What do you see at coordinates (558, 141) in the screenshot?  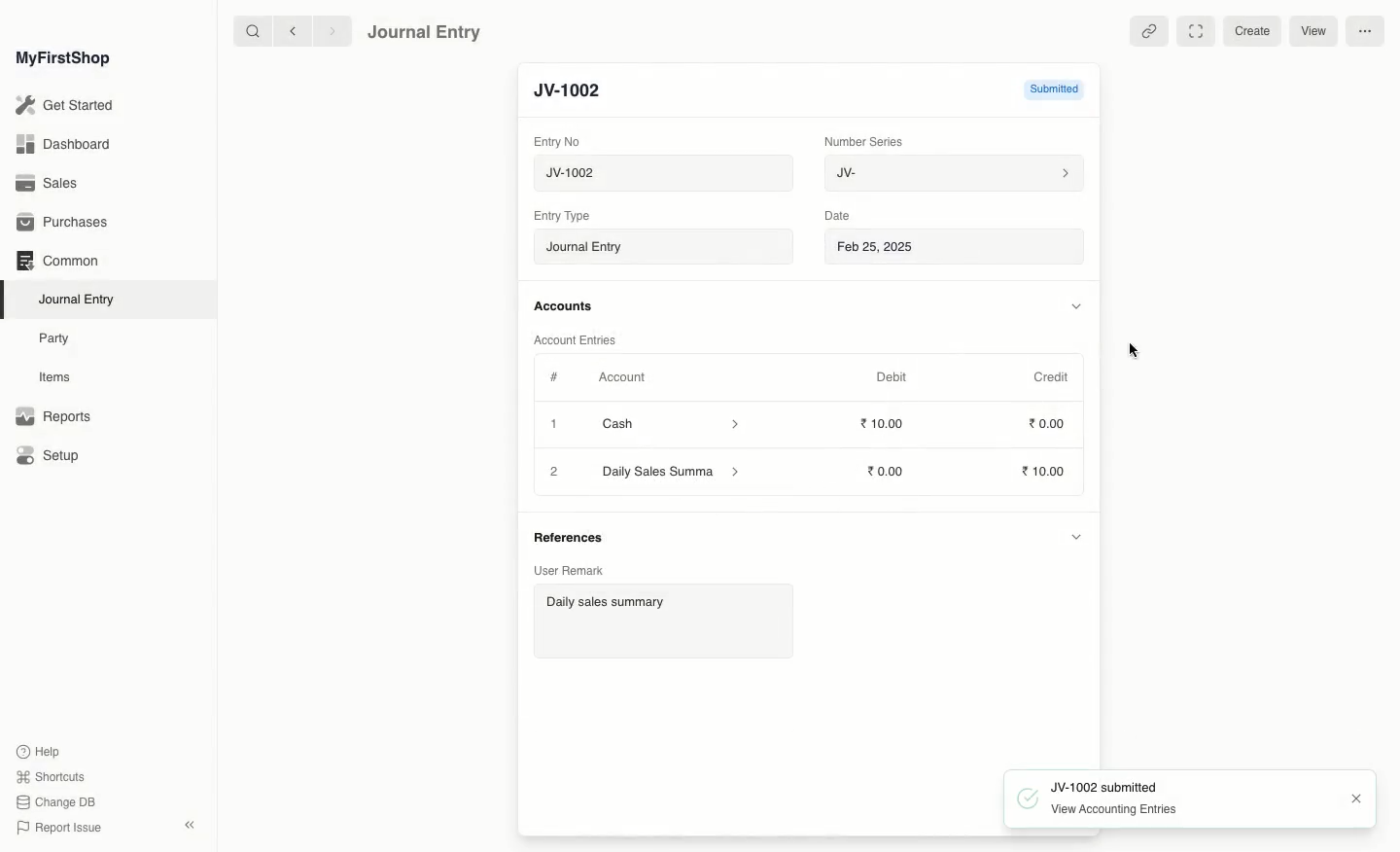 I see `Entry No` at bounding box center [558, 141].